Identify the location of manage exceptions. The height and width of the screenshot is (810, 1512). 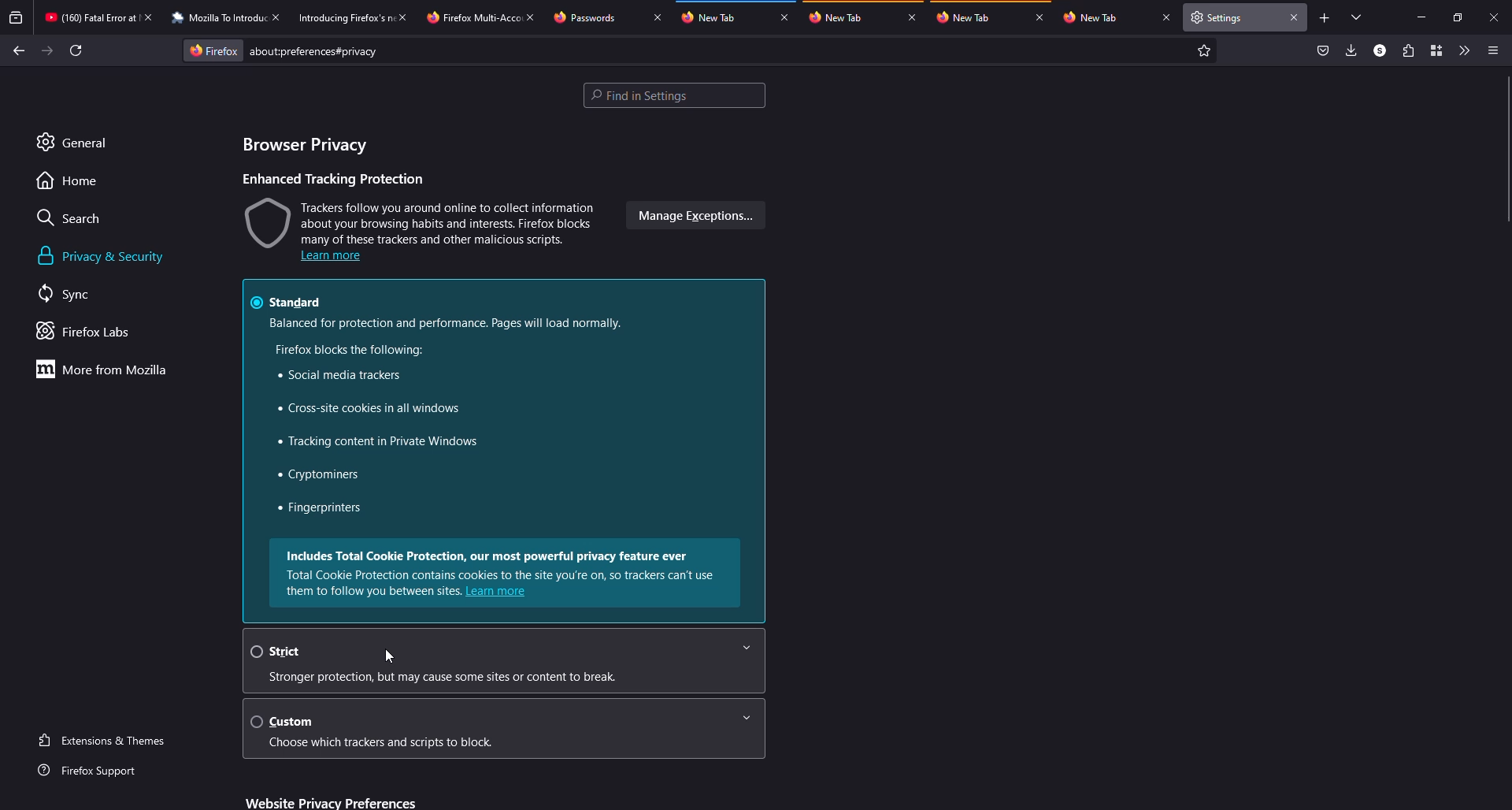
(693, 215).